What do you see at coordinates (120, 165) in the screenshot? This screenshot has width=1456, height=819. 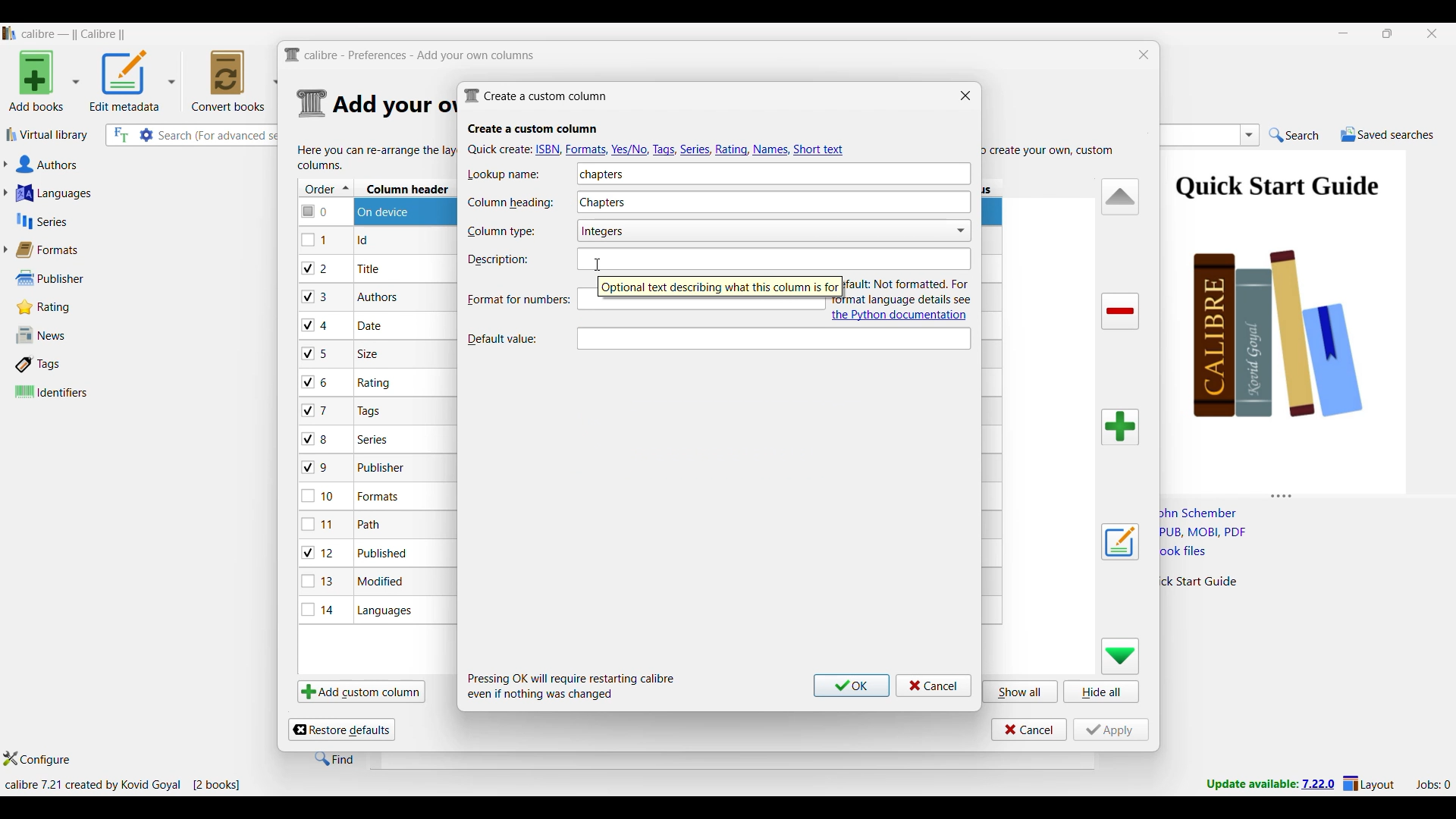 I see `Authors` at bounding box center [120, 165].